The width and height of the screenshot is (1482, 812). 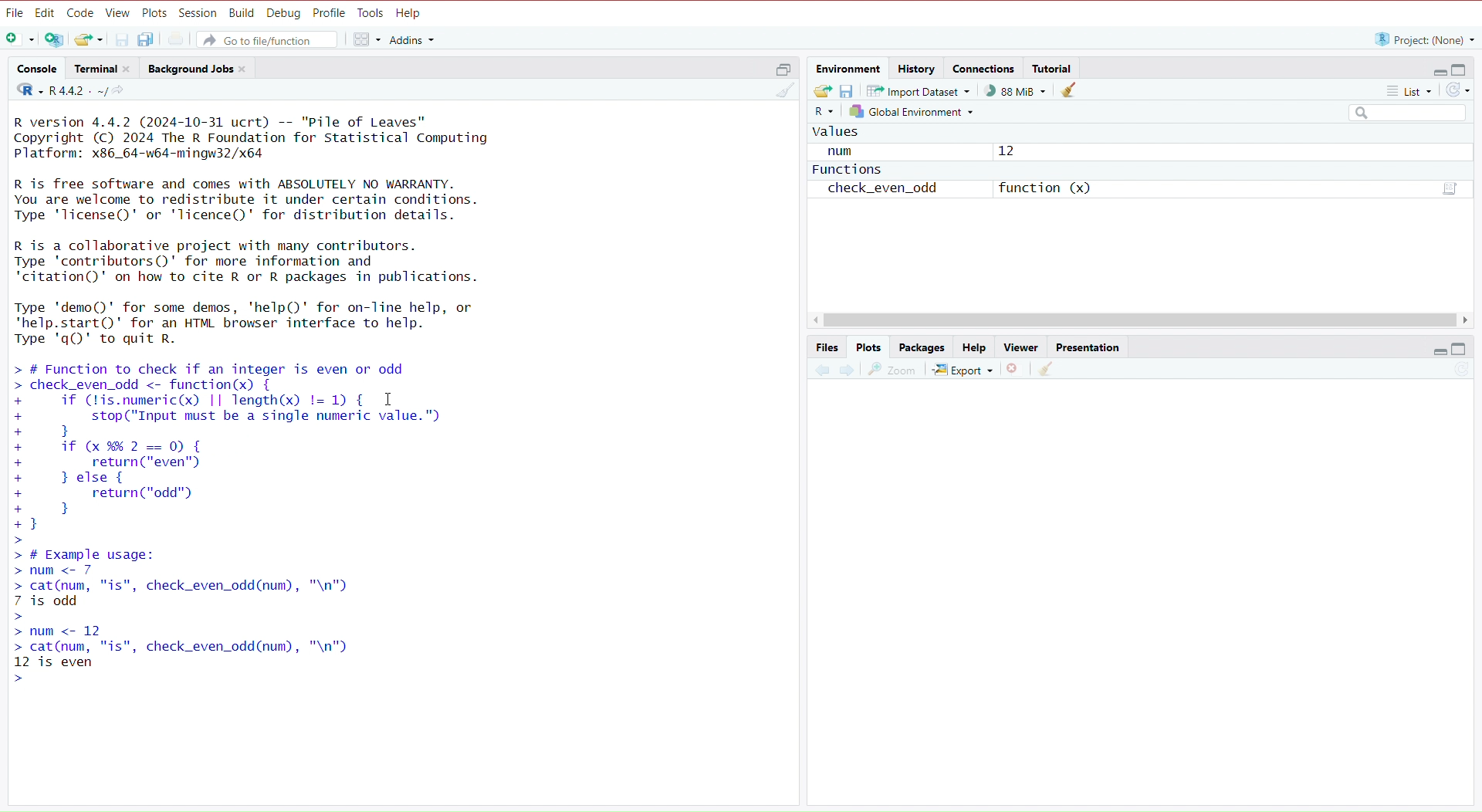 What do you see at coordinates (1448, 188) in the screenshot?
I see `options` at bounding box center [1448, 188].